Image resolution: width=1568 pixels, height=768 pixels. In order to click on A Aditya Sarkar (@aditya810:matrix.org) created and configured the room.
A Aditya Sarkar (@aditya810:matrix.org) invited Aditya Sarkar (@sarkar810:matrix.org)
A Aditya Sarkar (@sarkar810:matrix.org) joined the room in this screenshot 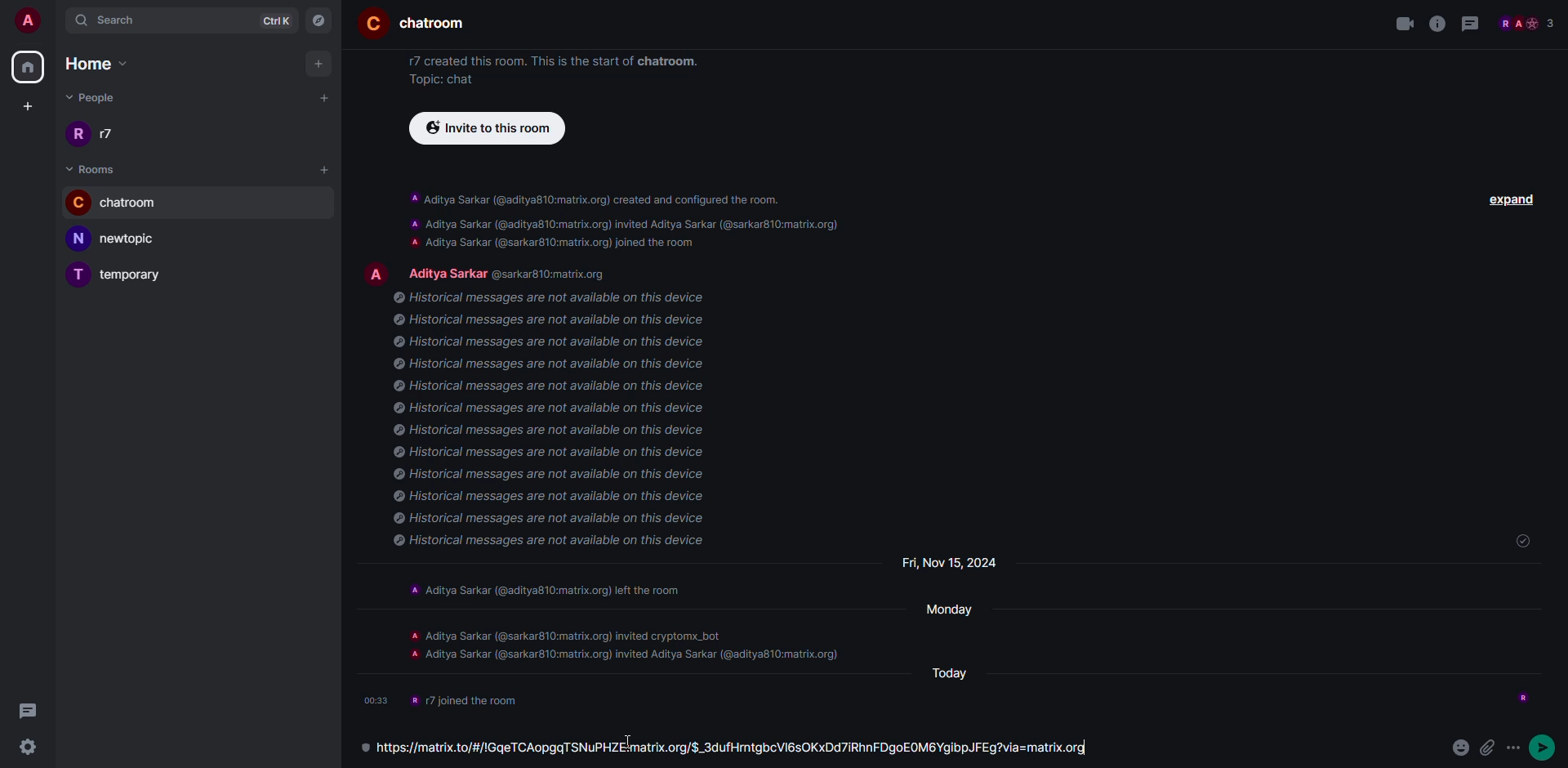, I will do `click(622, 219)`.